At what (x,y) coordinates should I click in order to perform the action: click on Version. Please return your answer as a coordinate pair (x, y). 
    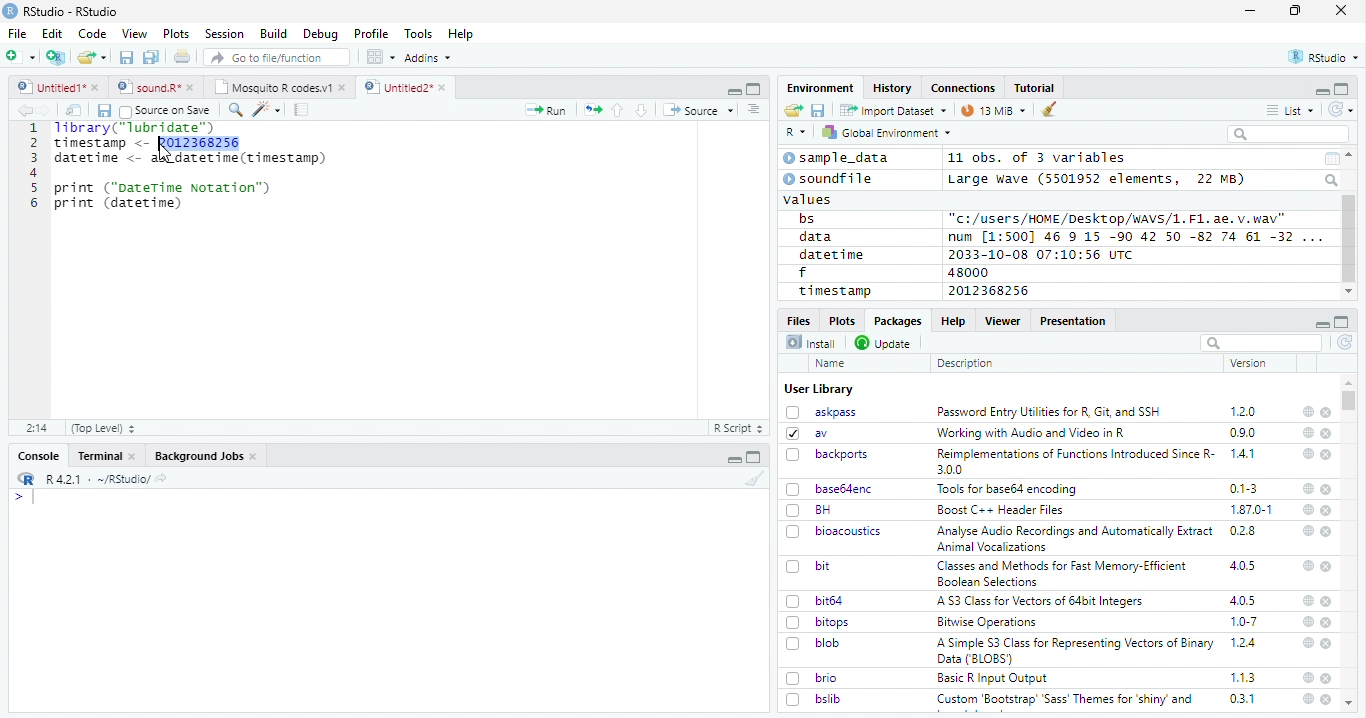
    Looking at the image, I should click on (1252, 363).